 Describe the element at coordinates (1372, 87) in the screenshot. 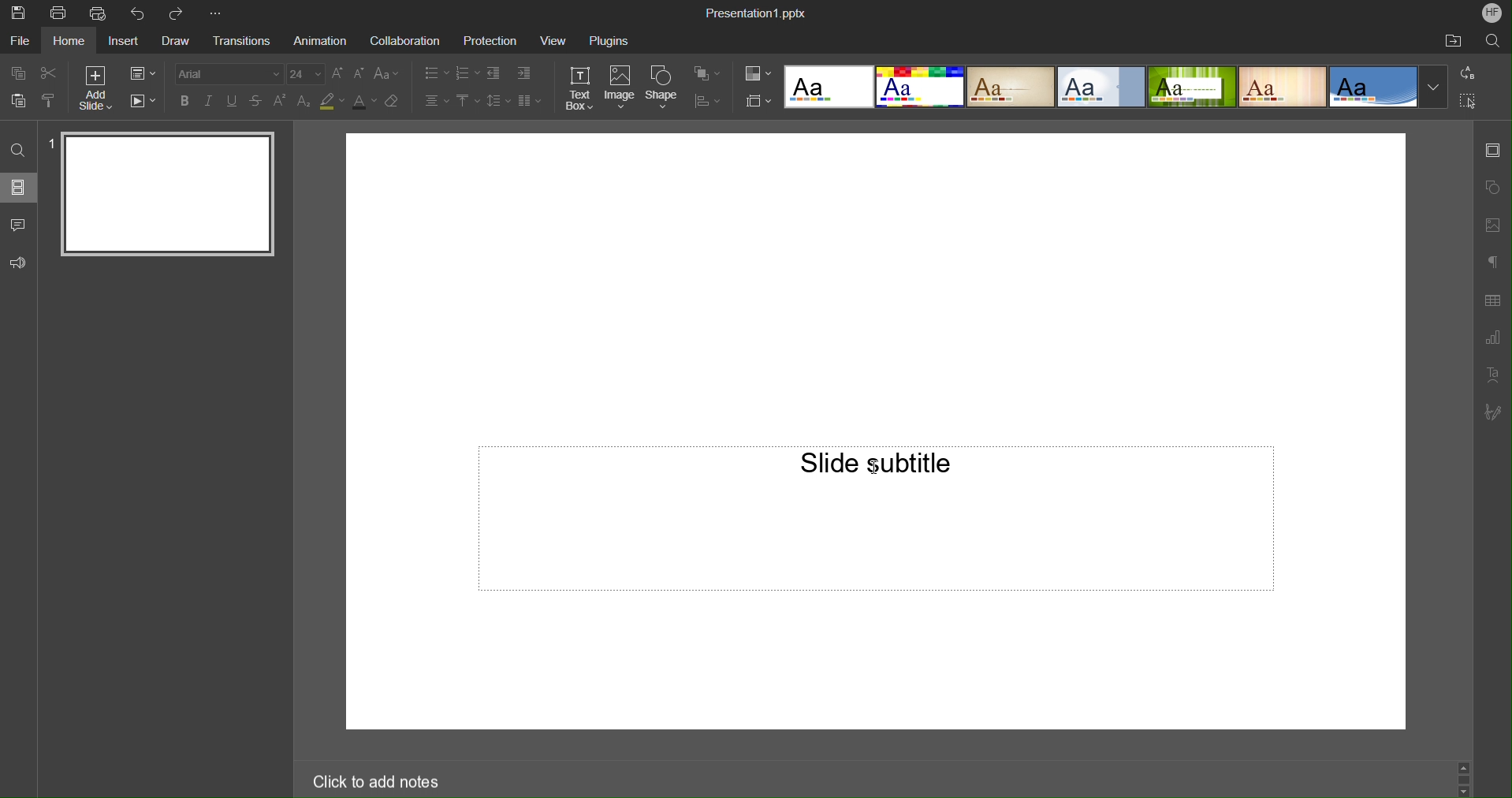

I see `template` at that location.